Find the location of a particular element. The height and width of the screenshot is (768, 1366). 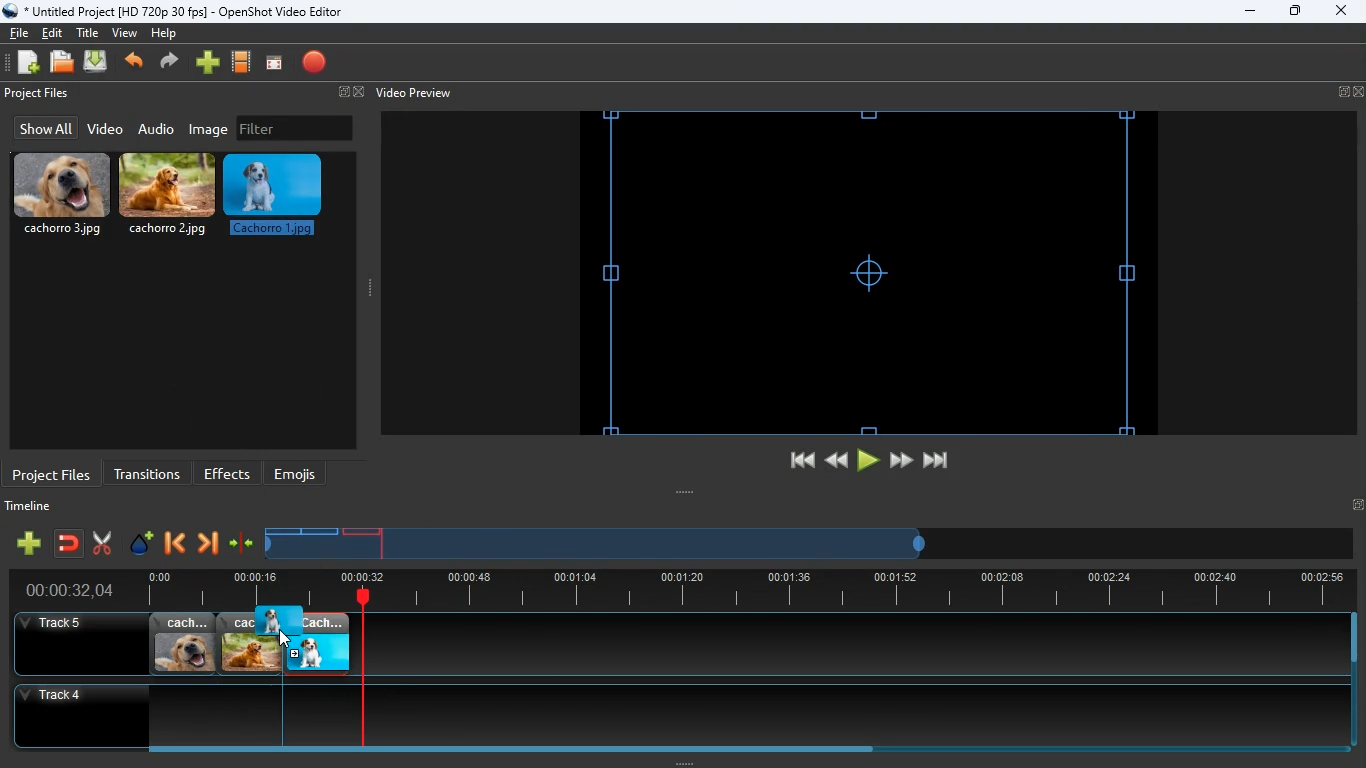

forward is located at coordinates (172, 63).